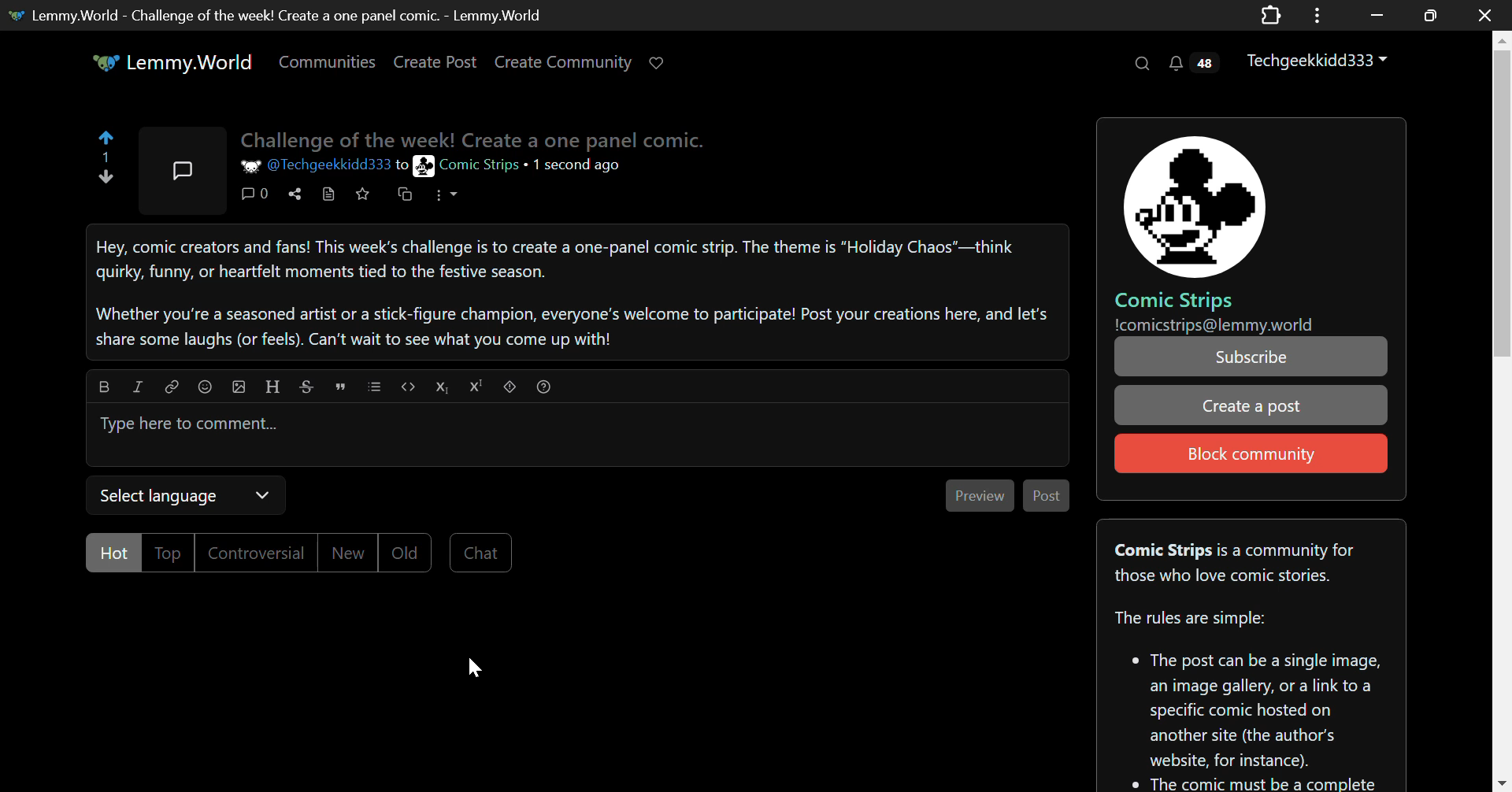  I want to click on @Techgeekkidd333, so click(313, 164).